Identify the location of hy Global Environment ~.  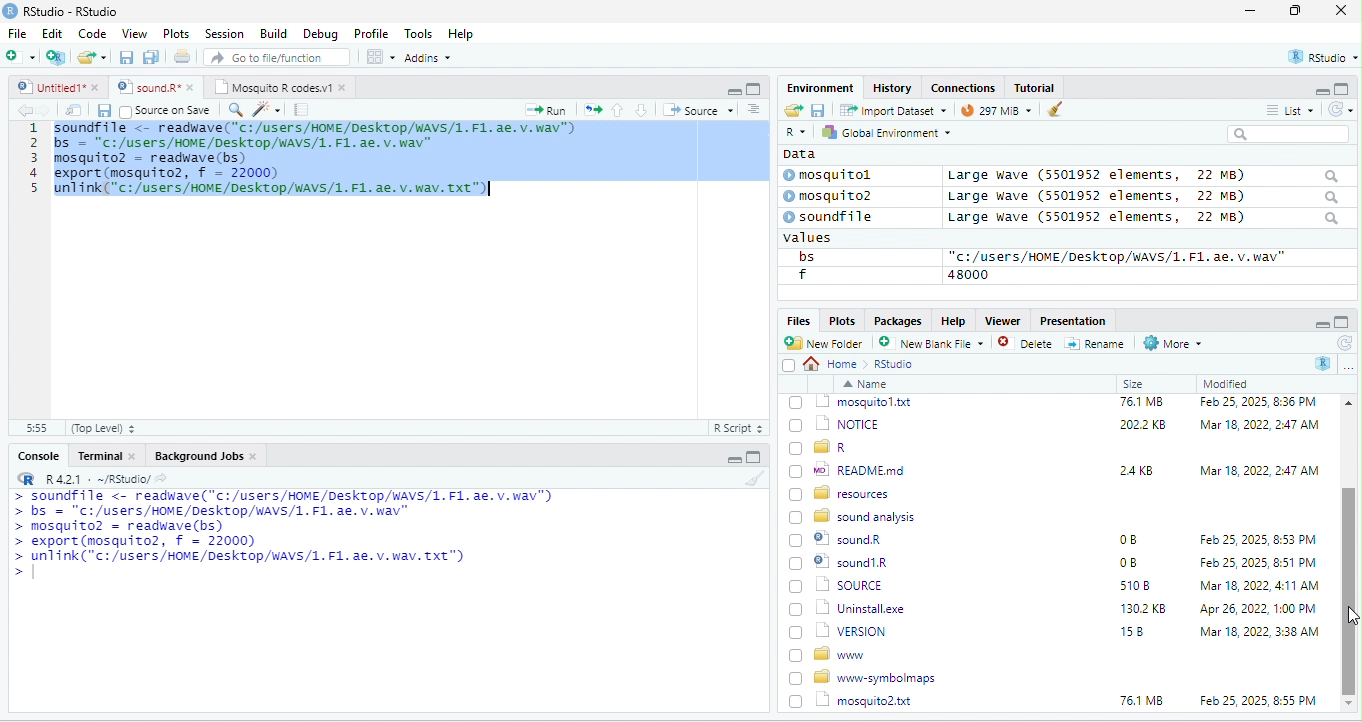
(881, 132).